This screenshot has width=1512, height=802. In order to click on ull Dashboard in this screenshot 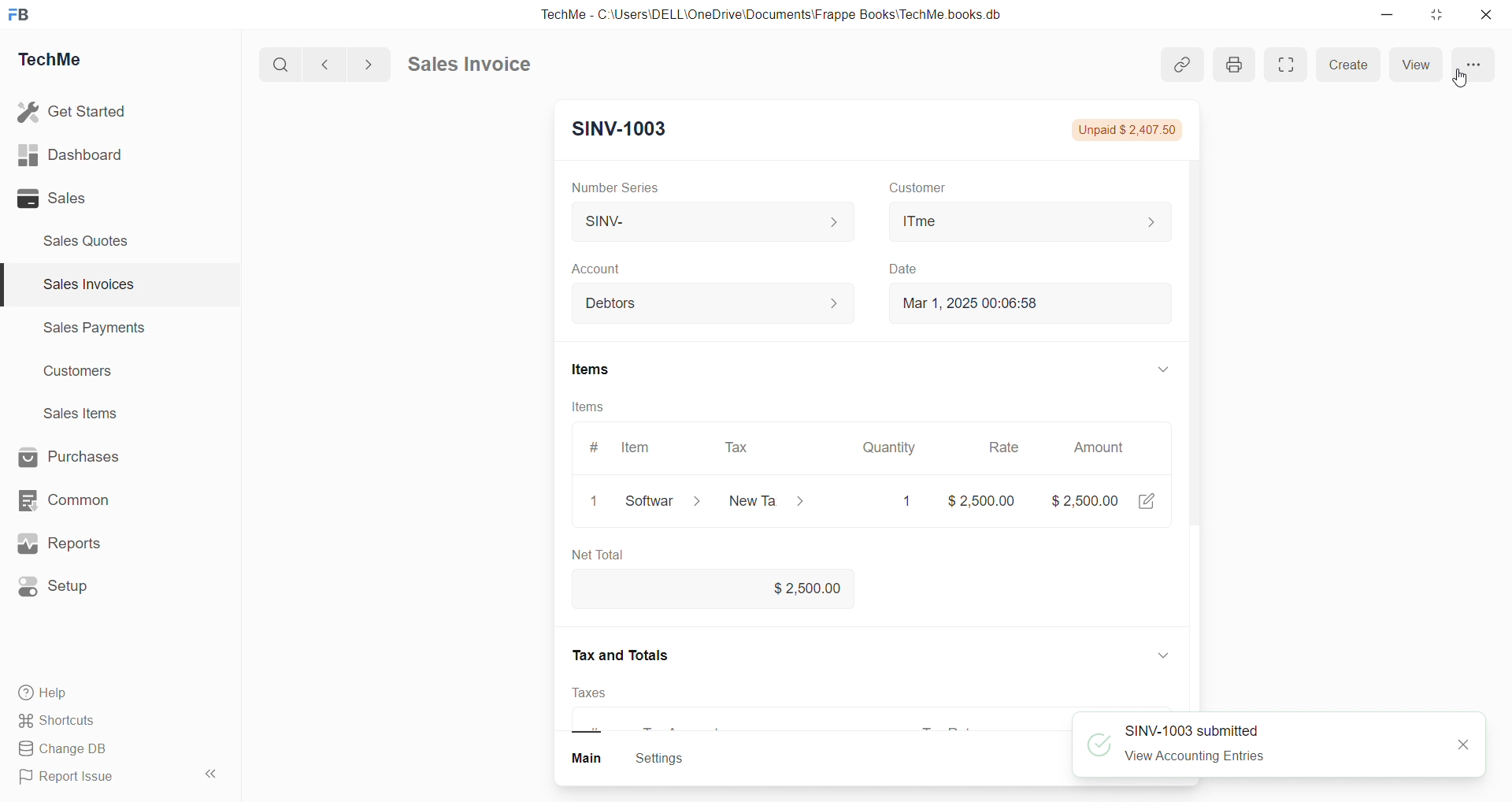, I will do `click(78, 154)`.